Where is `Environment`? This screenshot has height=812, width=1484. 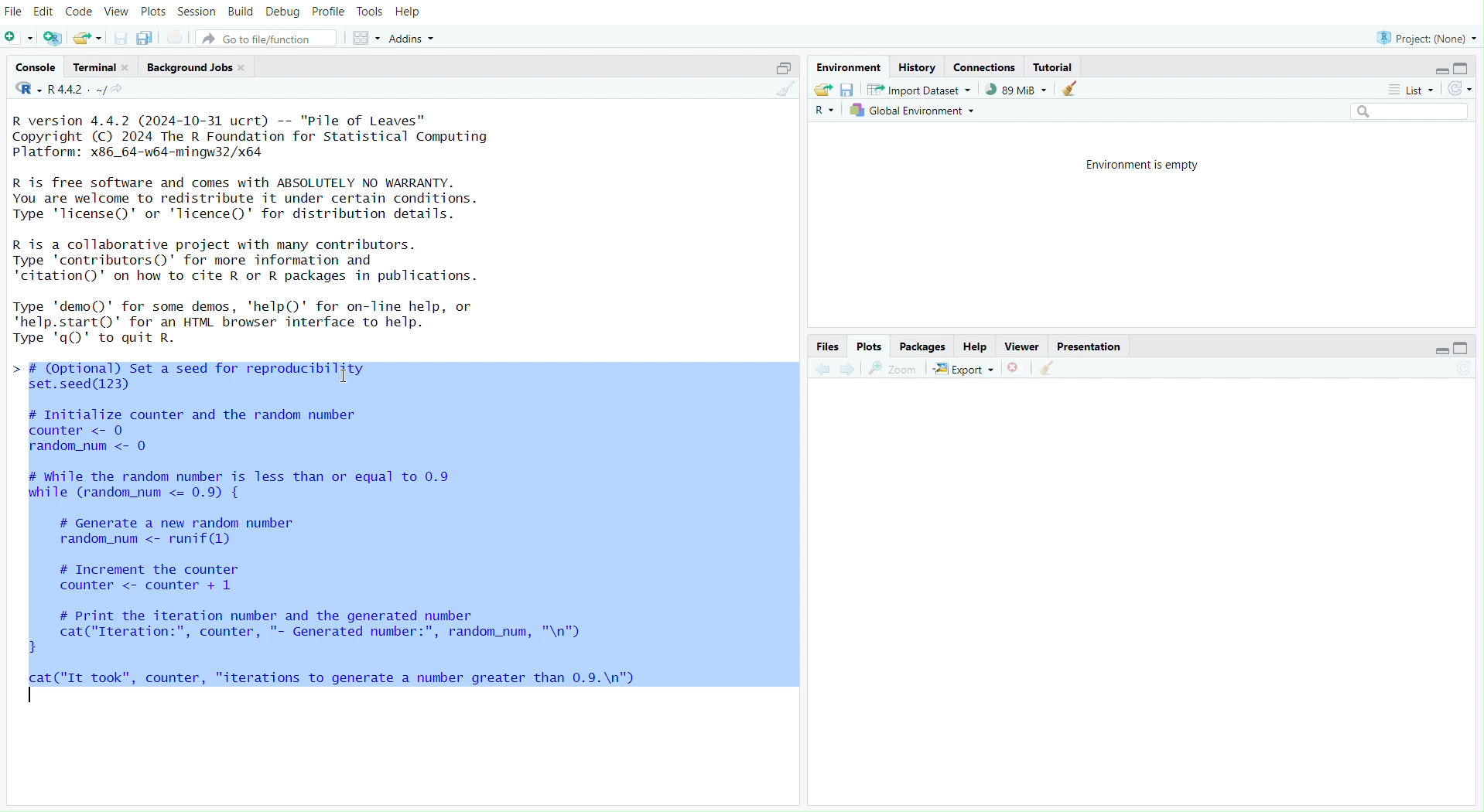 Environment is located at coordinates (850, 64).